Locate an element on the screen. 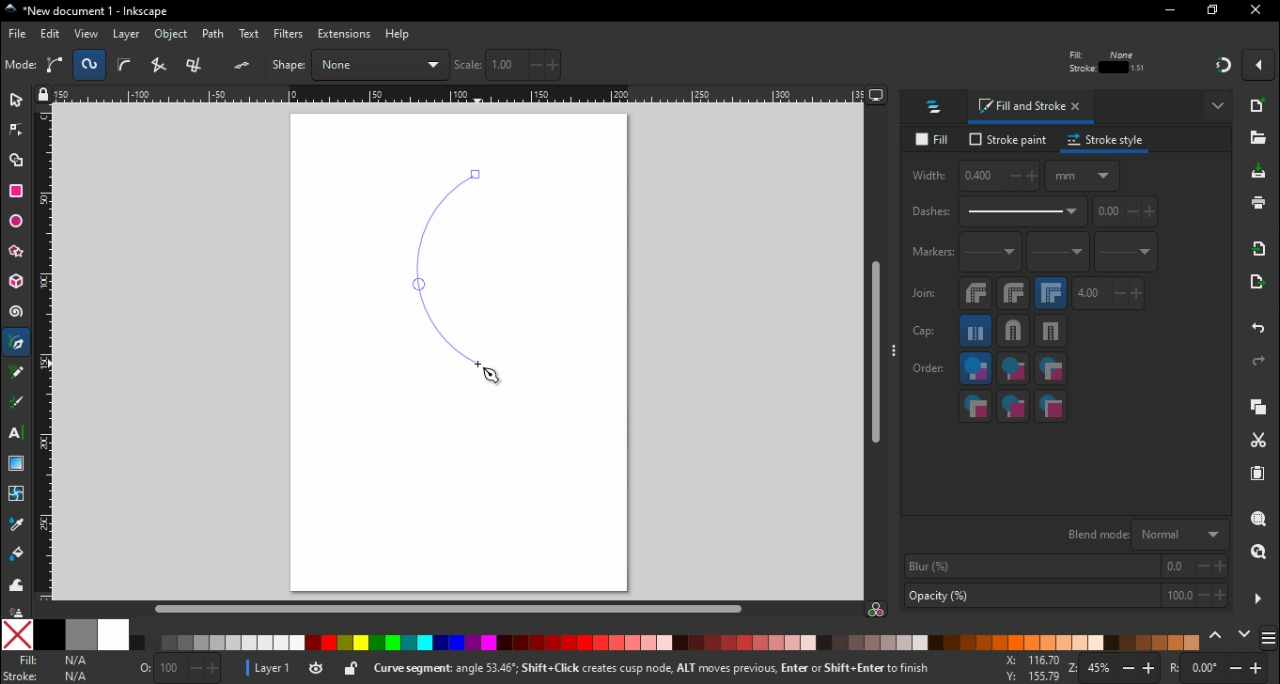 This screenshot has height=684, width=1280. shape builder tool is located at coordinates (19, 162).